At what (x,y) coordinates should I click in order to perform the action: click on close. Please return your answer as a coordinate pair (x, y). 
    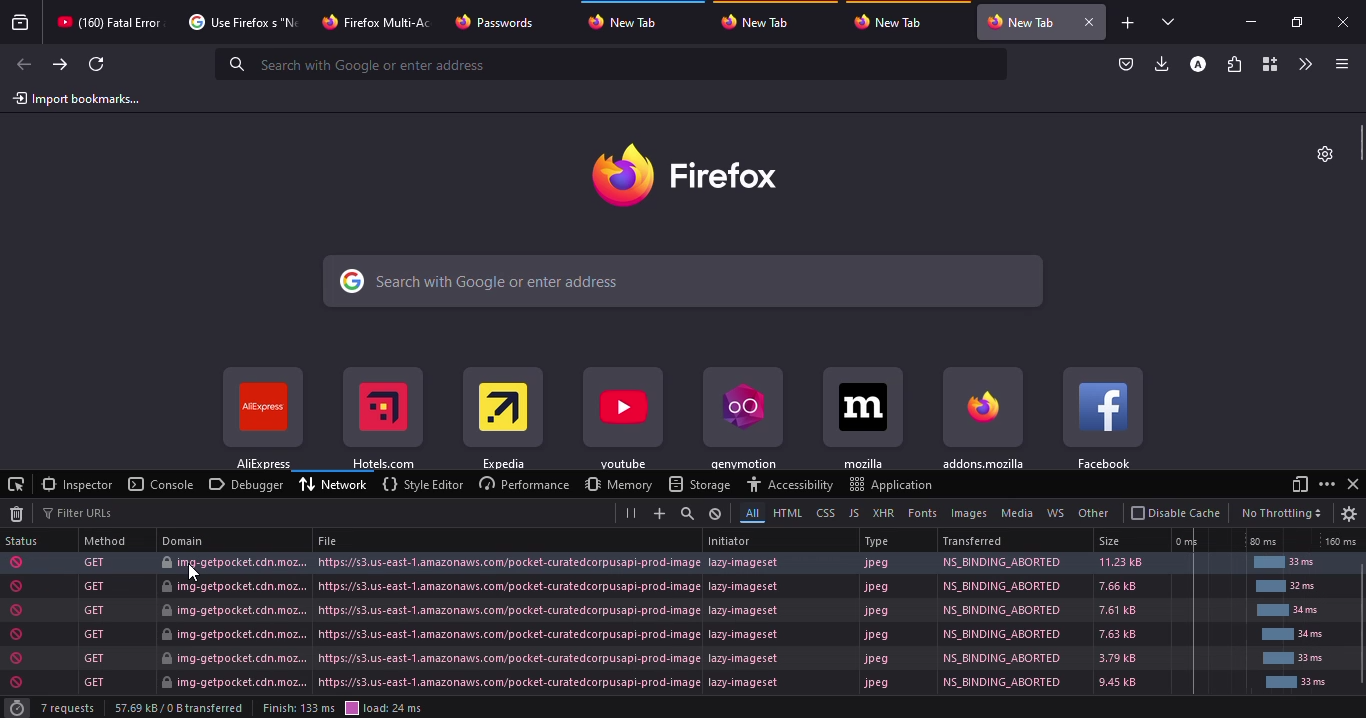
    Looking at the image, I should click on (1354, 484).